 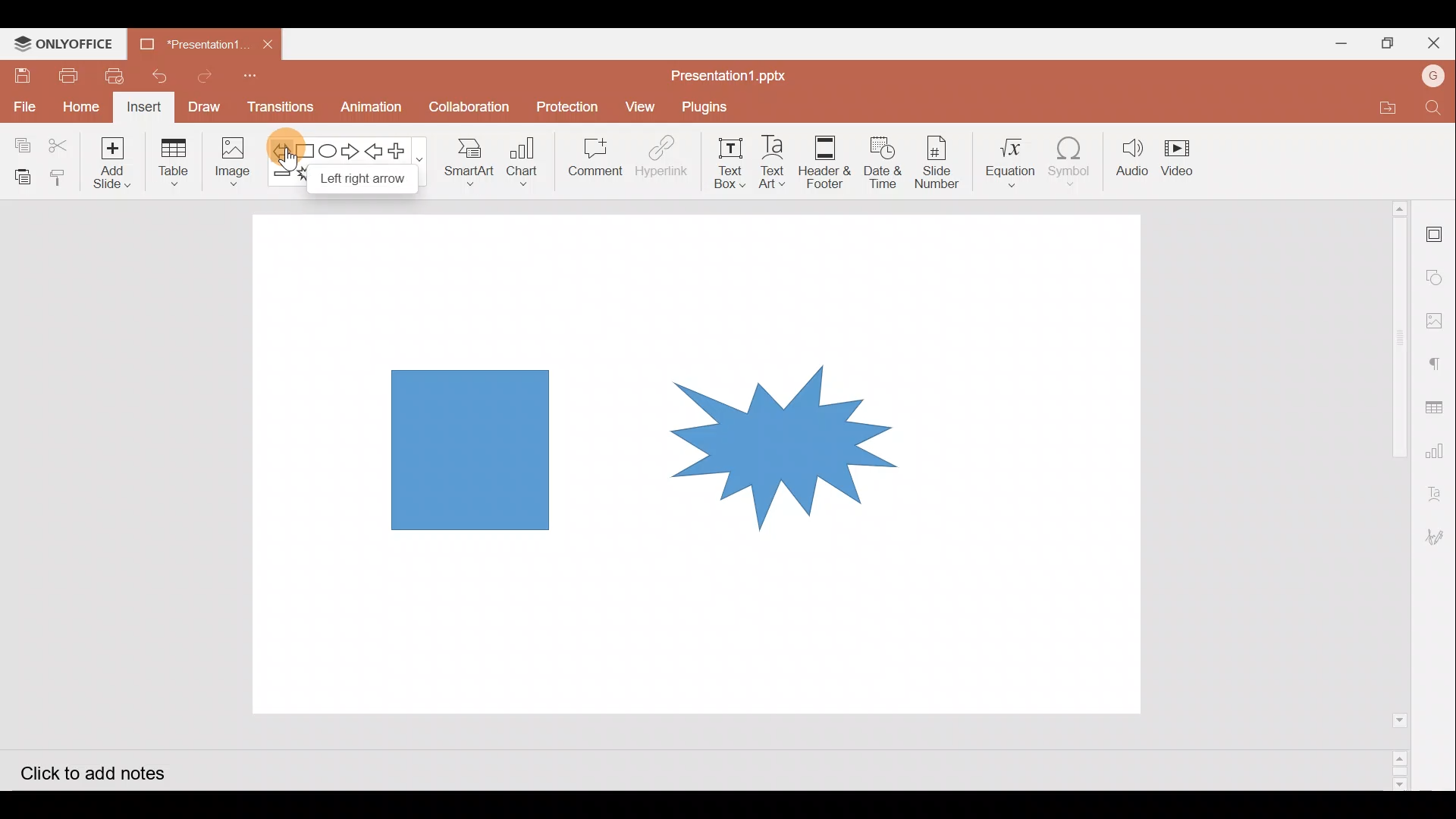 What do you see at coordinates (361, 179) in the screenshot?
I see `Left right arrow` at bounding box center [361, 179].